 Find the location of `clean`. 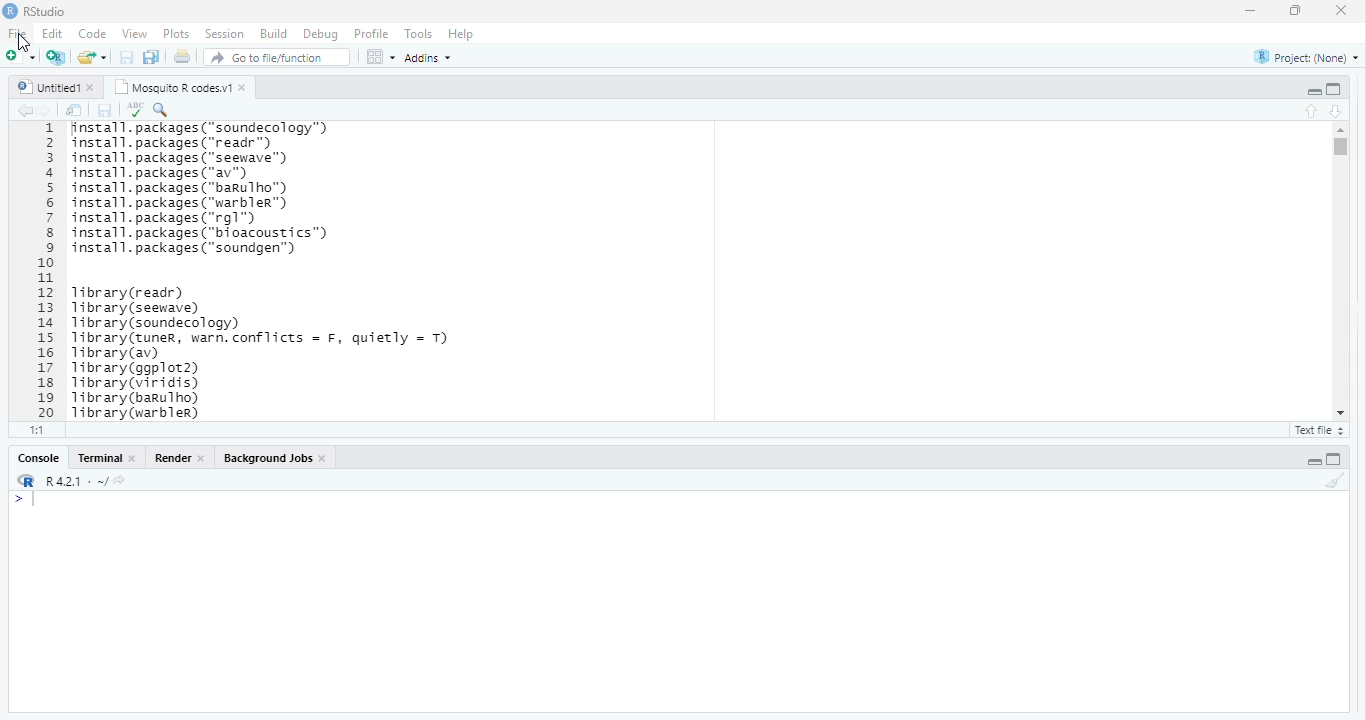

clean is located at coordinates (1335, 480).